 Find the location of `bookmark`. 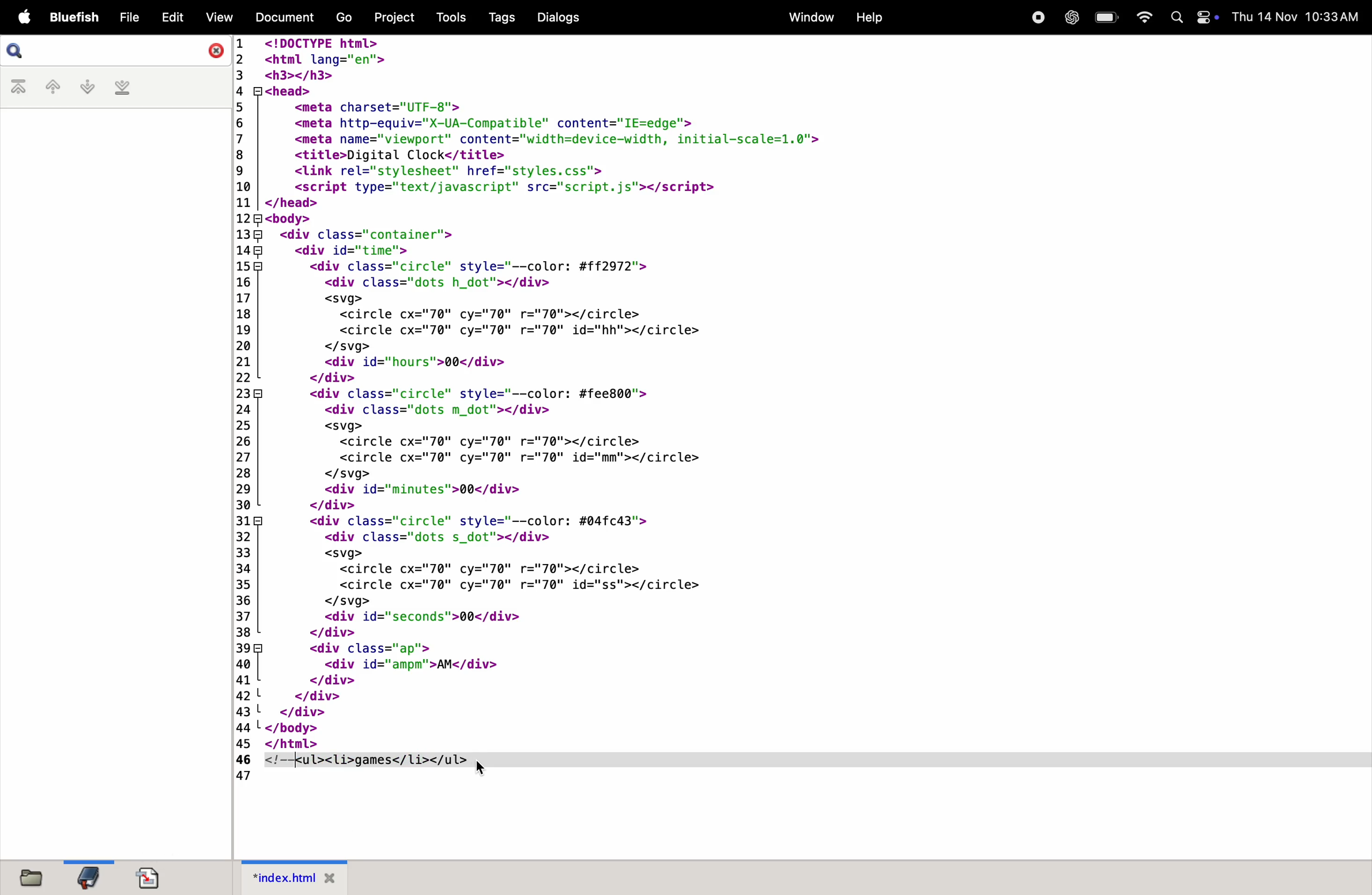

bookmark is located at coordinates (85, 877).